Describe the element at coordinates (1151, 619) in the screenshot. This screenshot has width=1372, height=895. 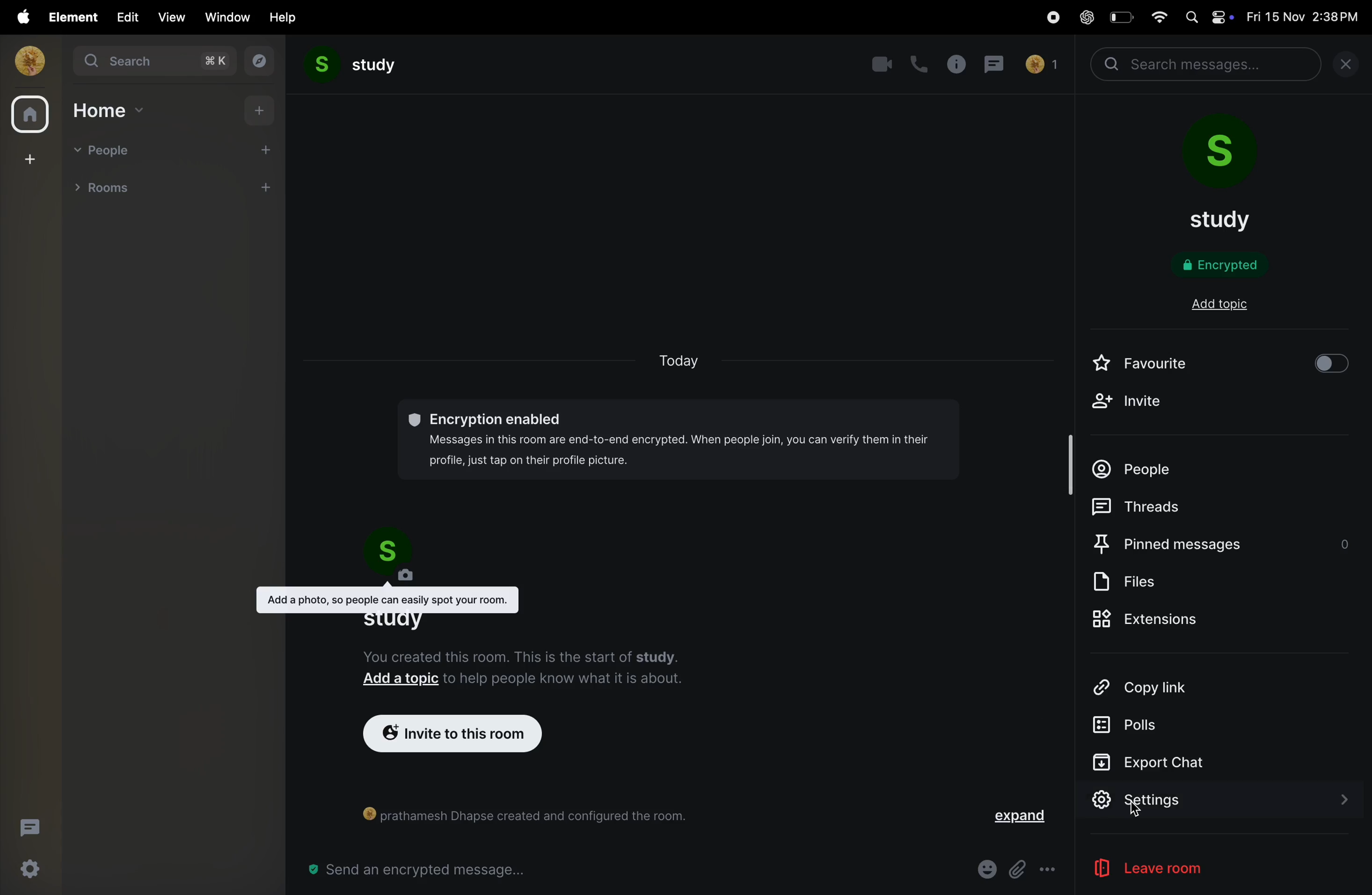
I see `extinsions` at that location.